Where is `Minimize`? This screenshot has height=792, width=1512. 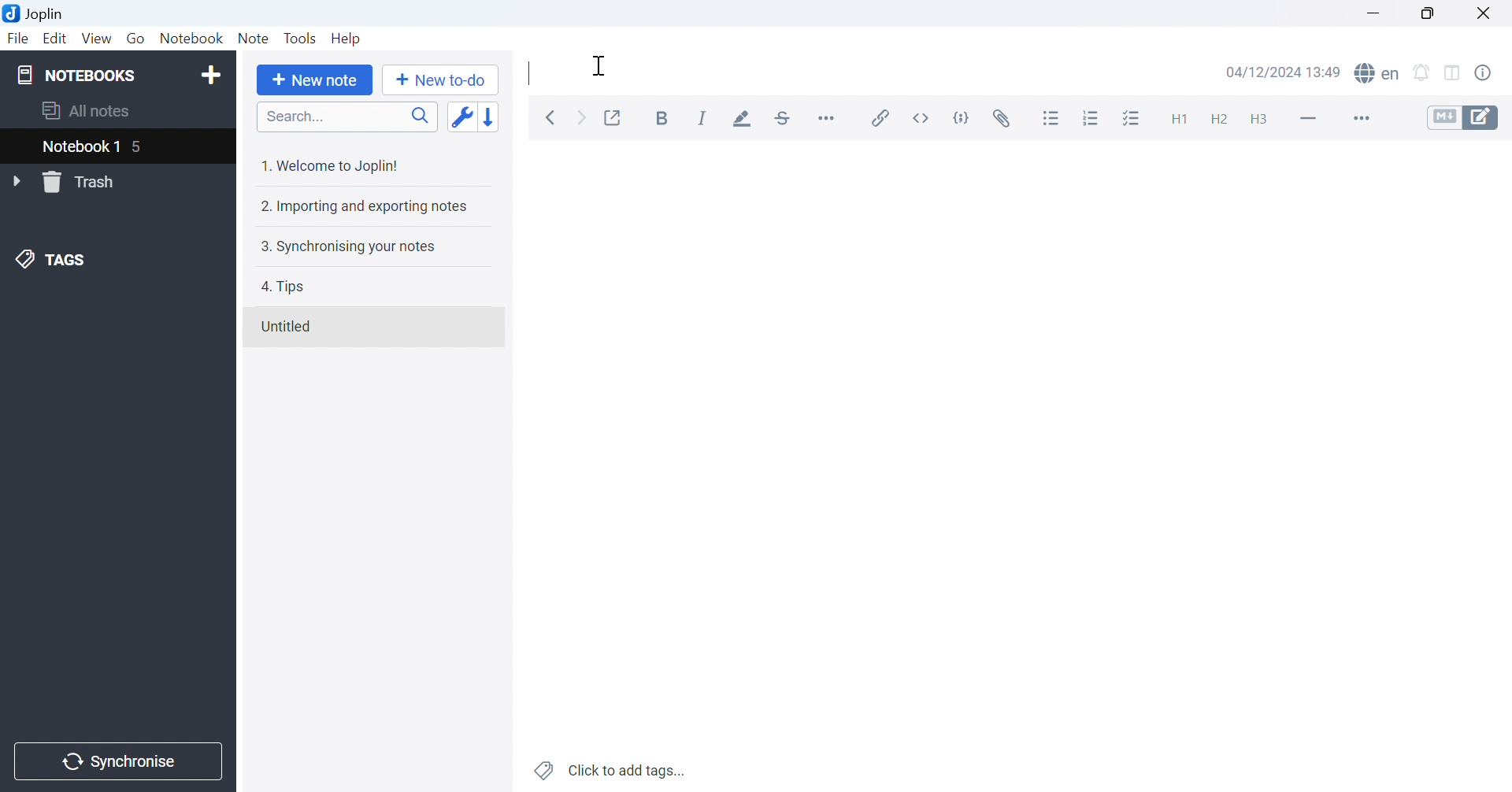
Minimize is located at coordinates (1372, 12).